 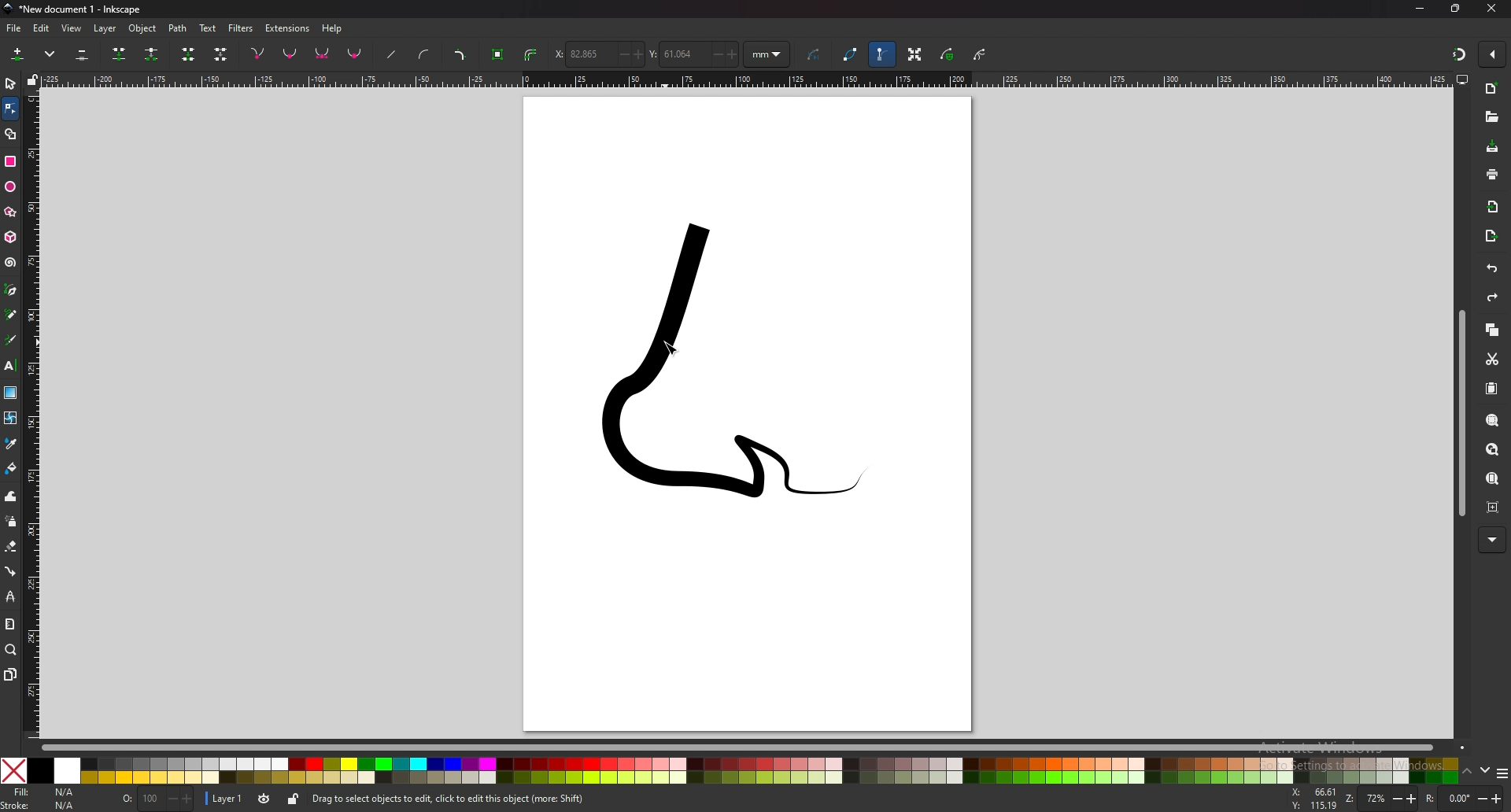 I want to click on symmetric, so click(x=323, y=54).